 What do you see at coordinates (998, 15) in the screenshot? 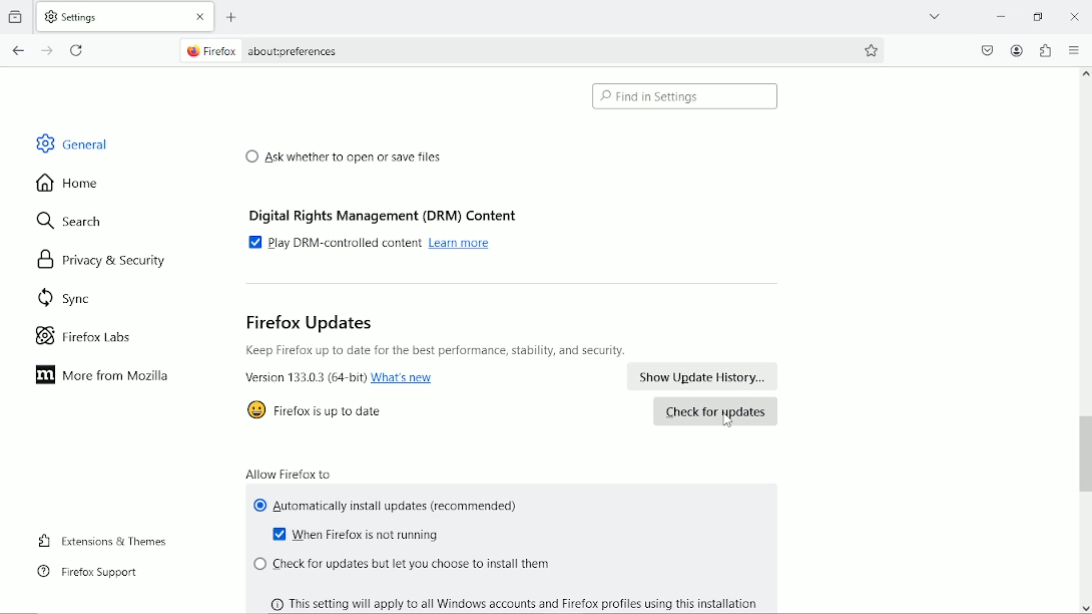
I see `minimize ` at bounding box center [998, 15].